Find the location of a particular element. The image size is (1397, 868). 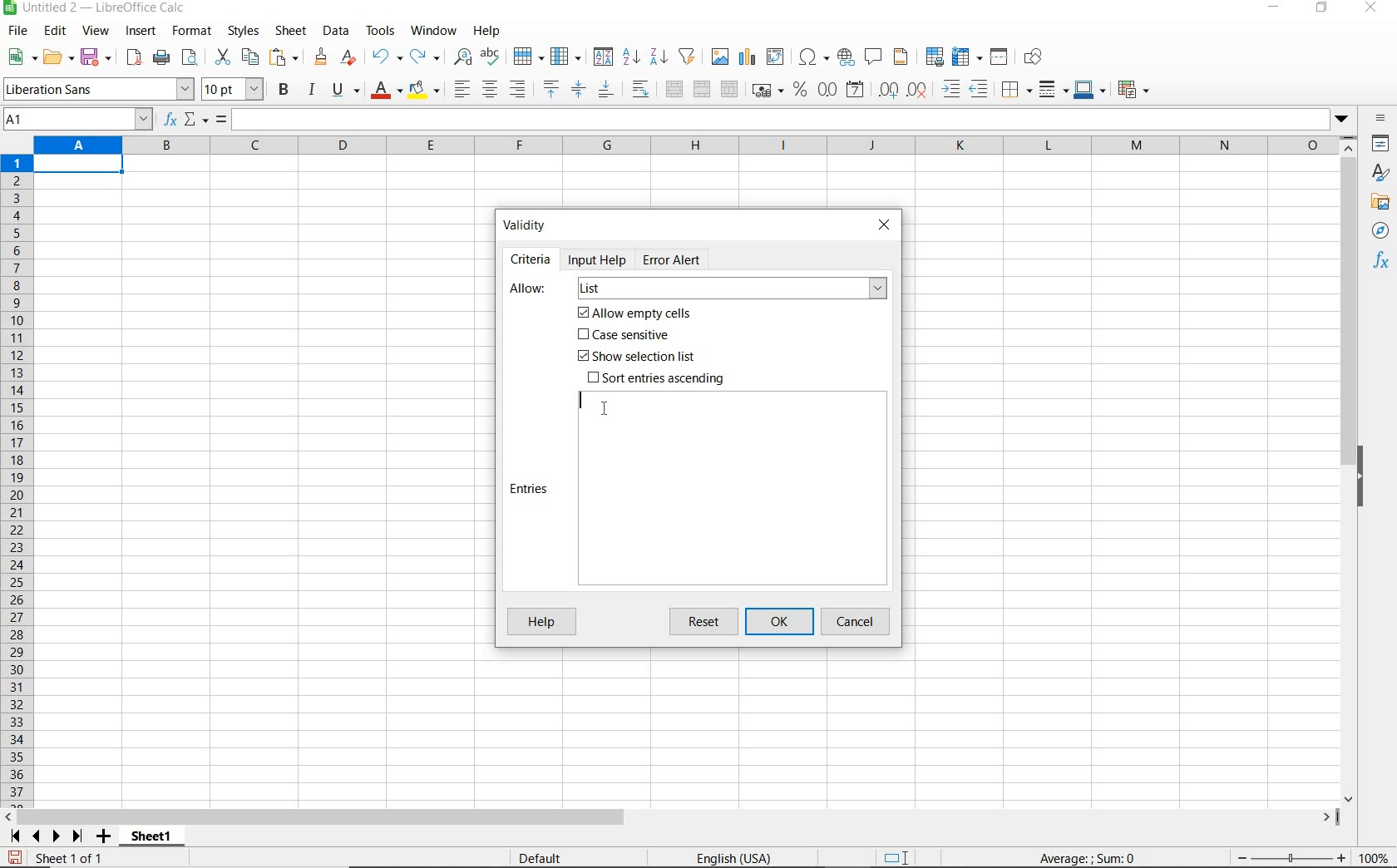

columns is located at coordinates (684, 146).